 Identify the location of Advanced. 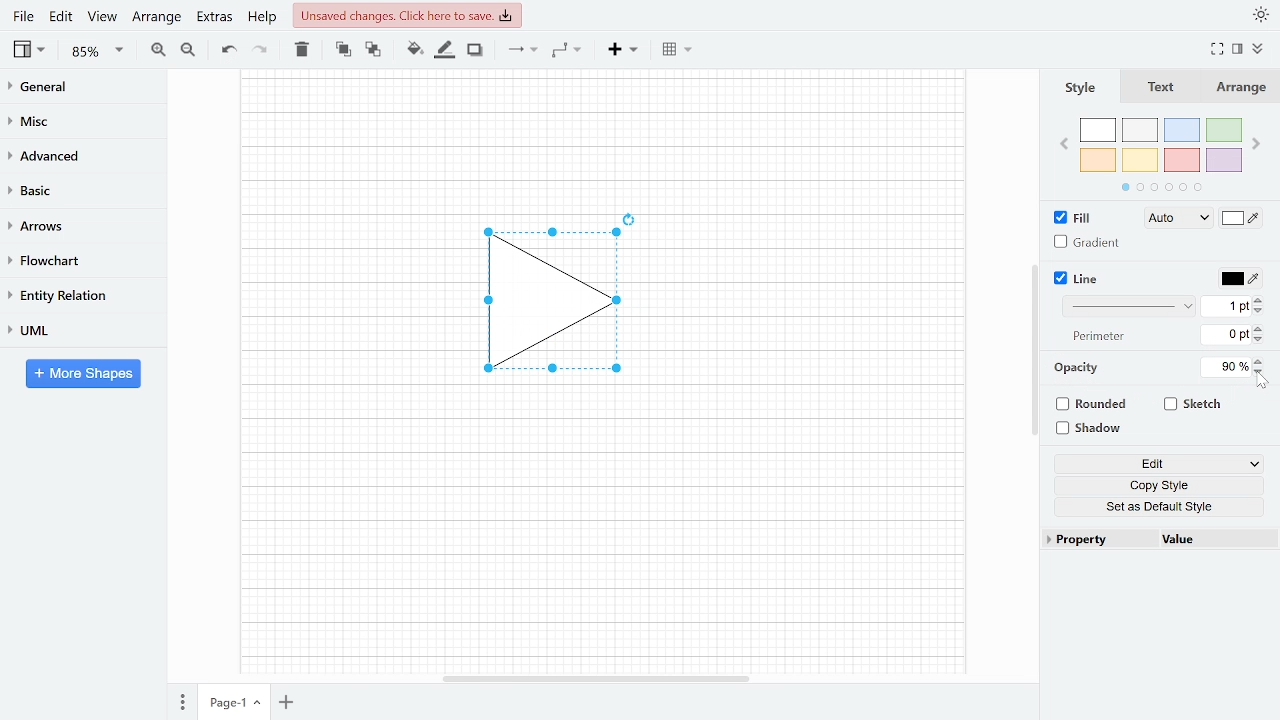
(77, 154).